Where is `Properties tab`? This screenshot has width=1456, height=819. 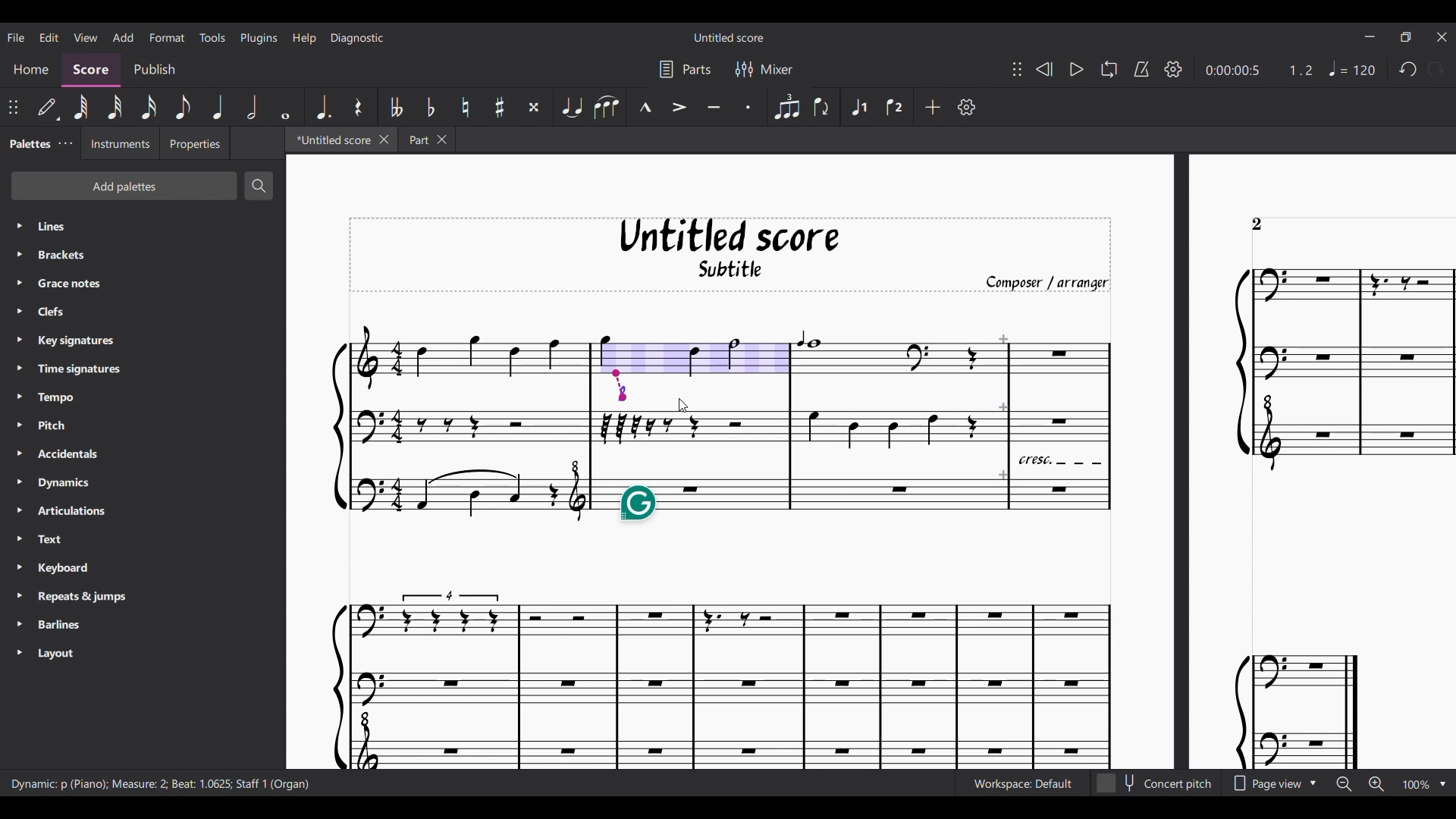 Properties tab is located at coordinates (194, 143).